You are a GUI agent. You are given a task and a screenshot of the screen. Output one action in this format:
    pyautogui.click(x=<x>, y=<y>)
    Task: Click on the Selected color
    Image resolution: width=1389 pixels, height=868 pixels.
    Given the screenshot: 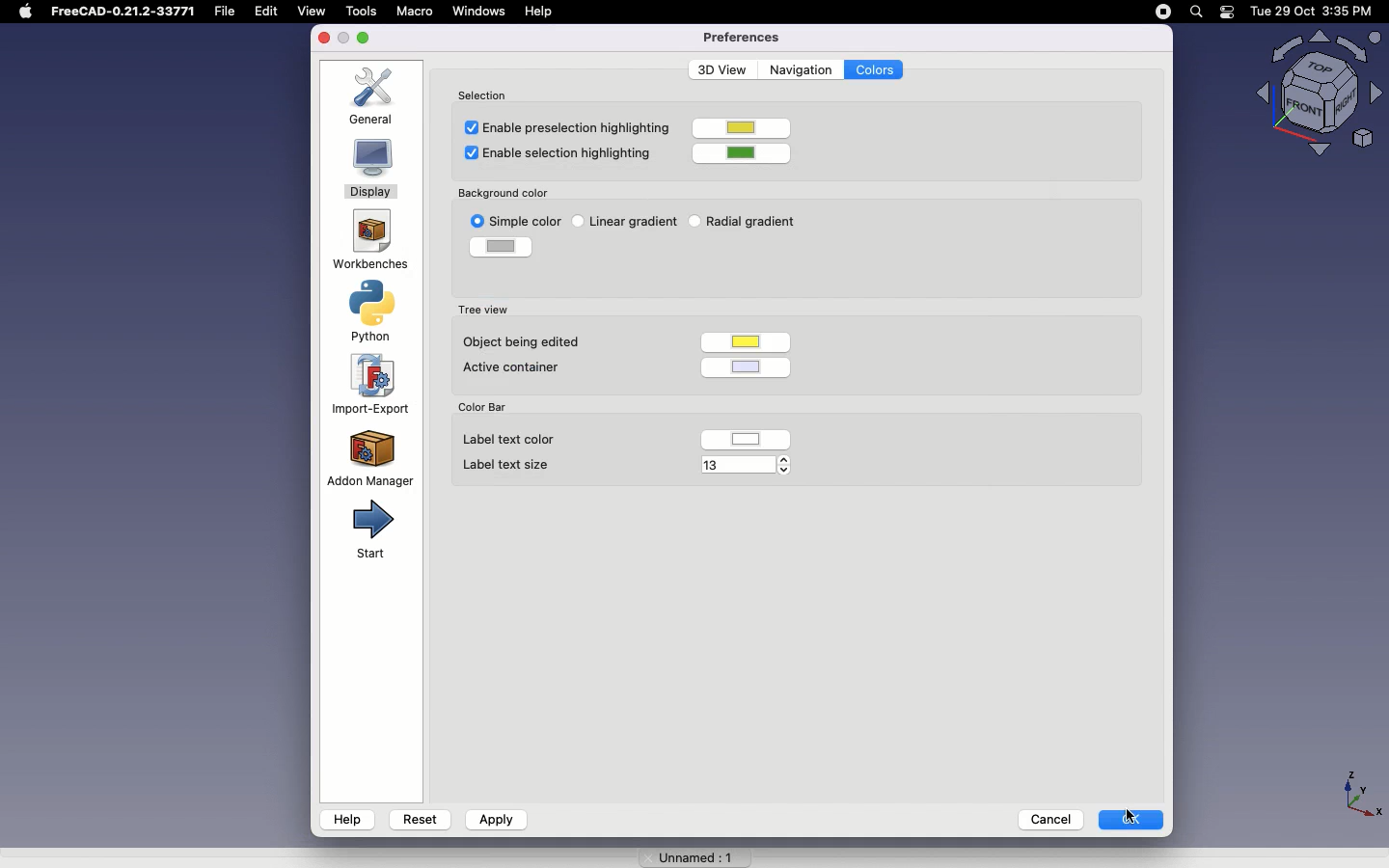 What is the action you would take?
    pyautogui.click(x=501, y=246)
    